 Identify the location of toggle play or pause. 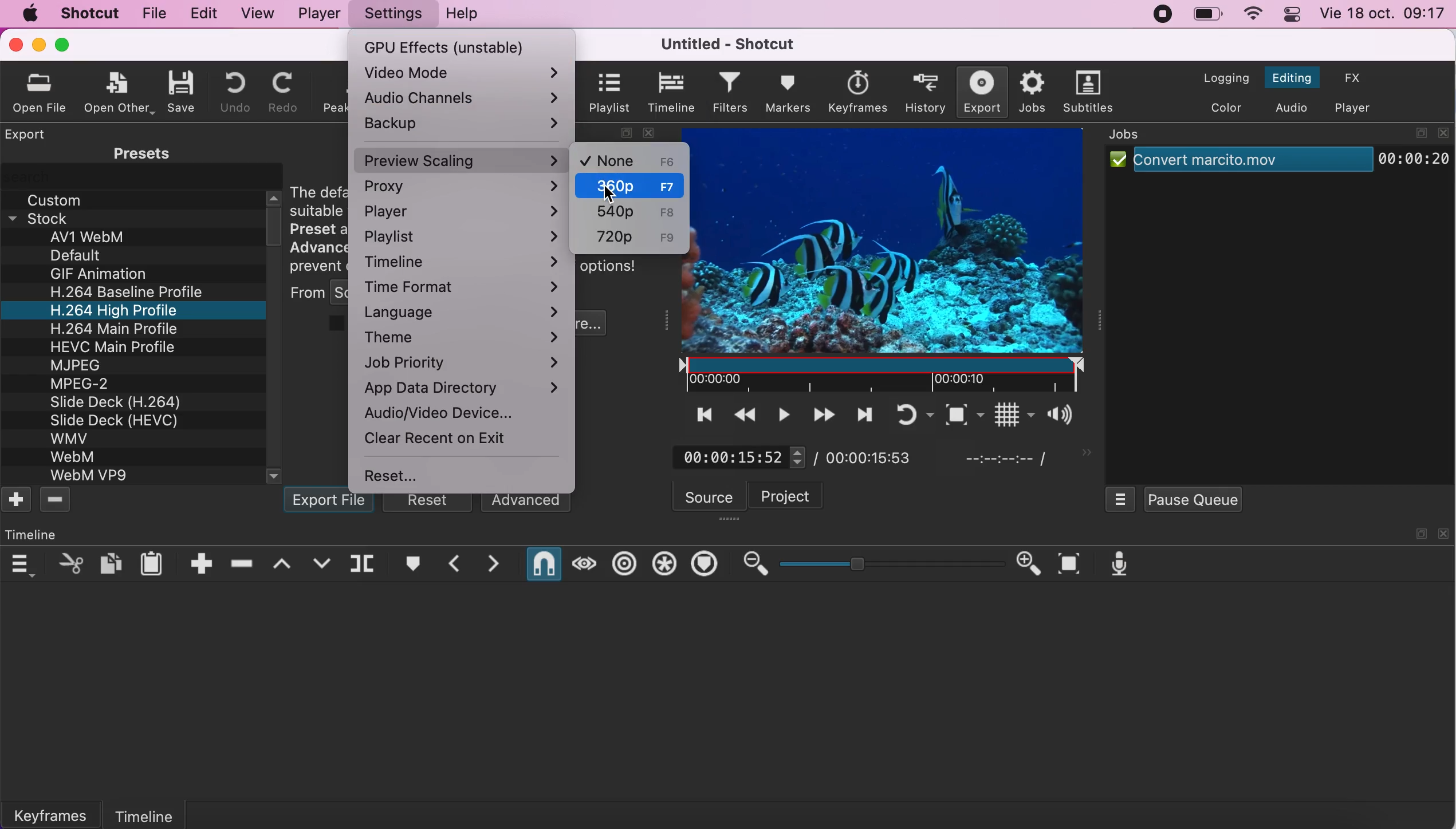
(782, 415).